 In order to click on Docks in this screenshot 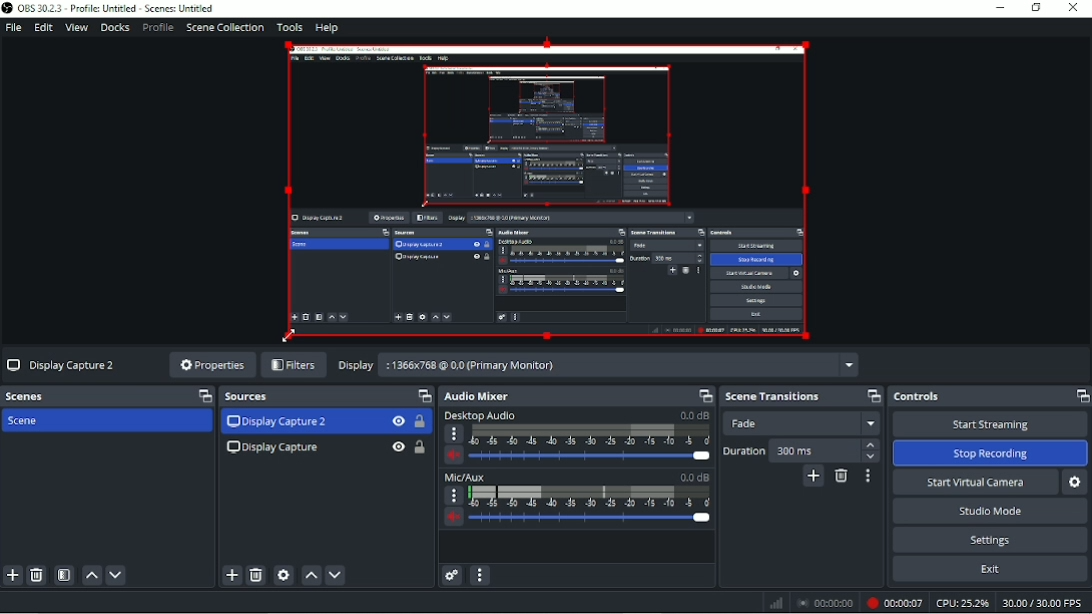, I will do `click(114, 28)`.